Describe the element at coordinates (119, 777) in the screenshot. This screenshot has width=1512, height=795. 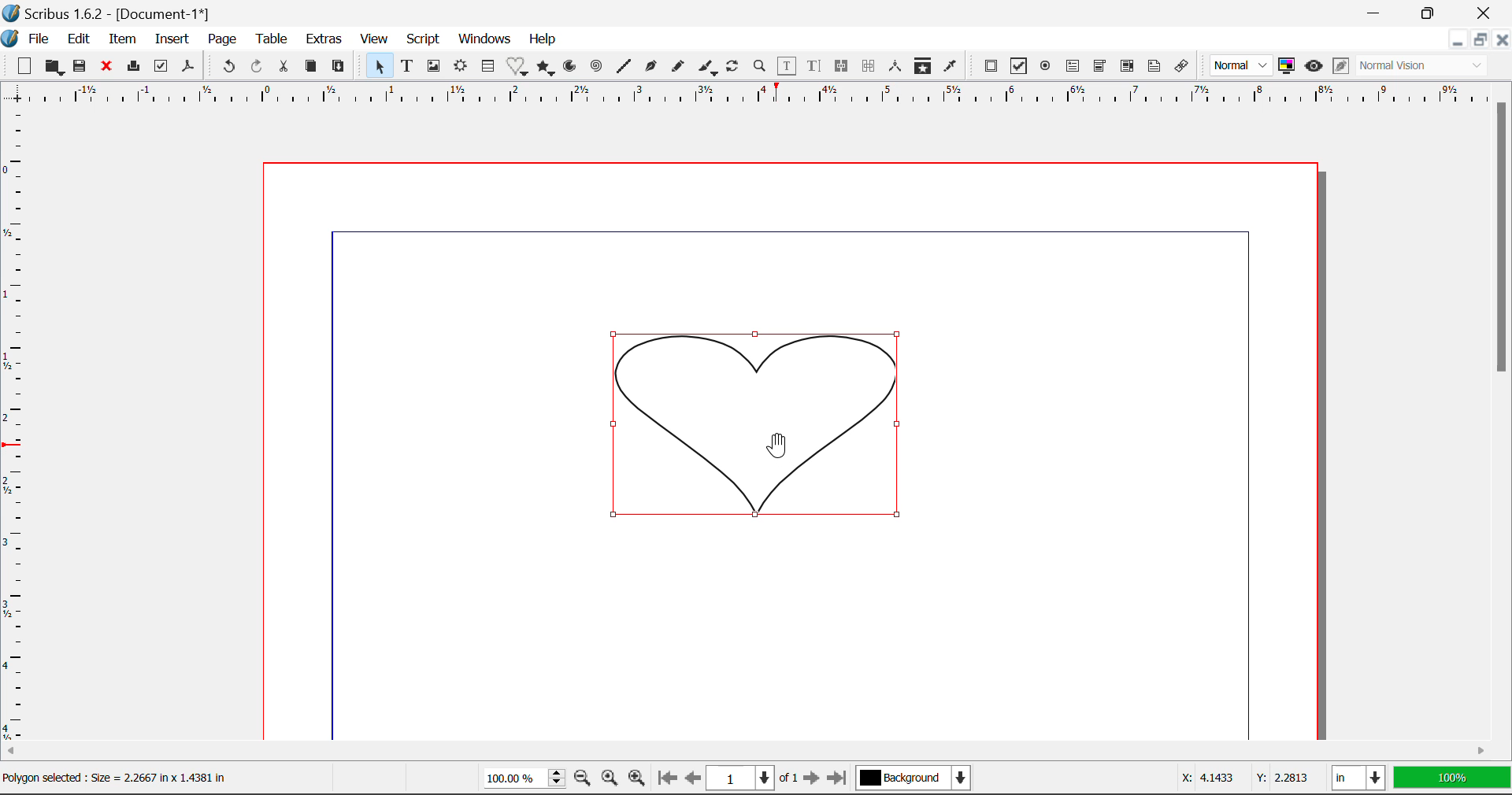
I see `Polygon selected : Size = 2.2667 in x 1.4381 in` at that location.